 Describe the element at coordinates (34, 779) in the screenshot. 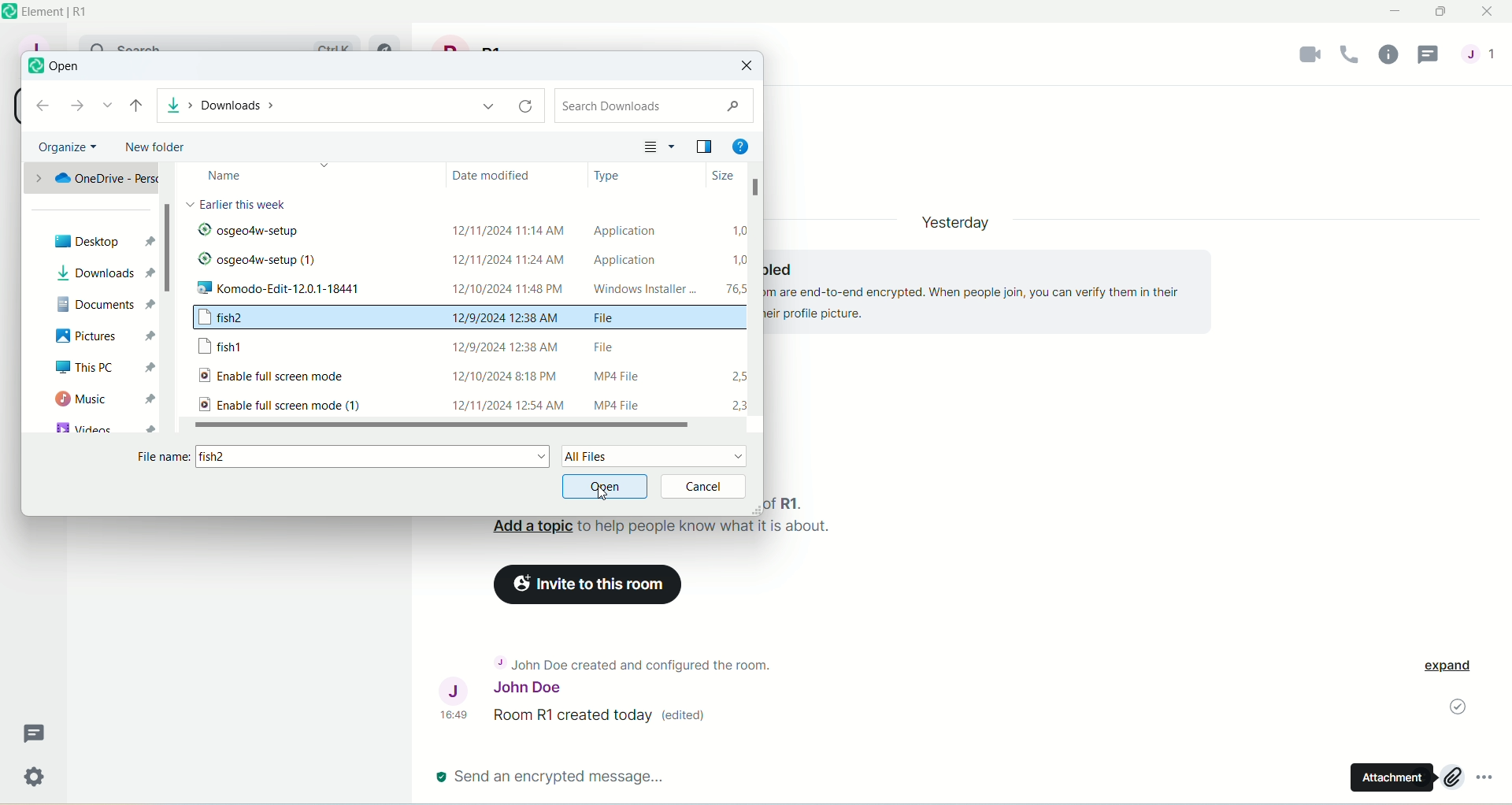

I see `Settings` at that location.